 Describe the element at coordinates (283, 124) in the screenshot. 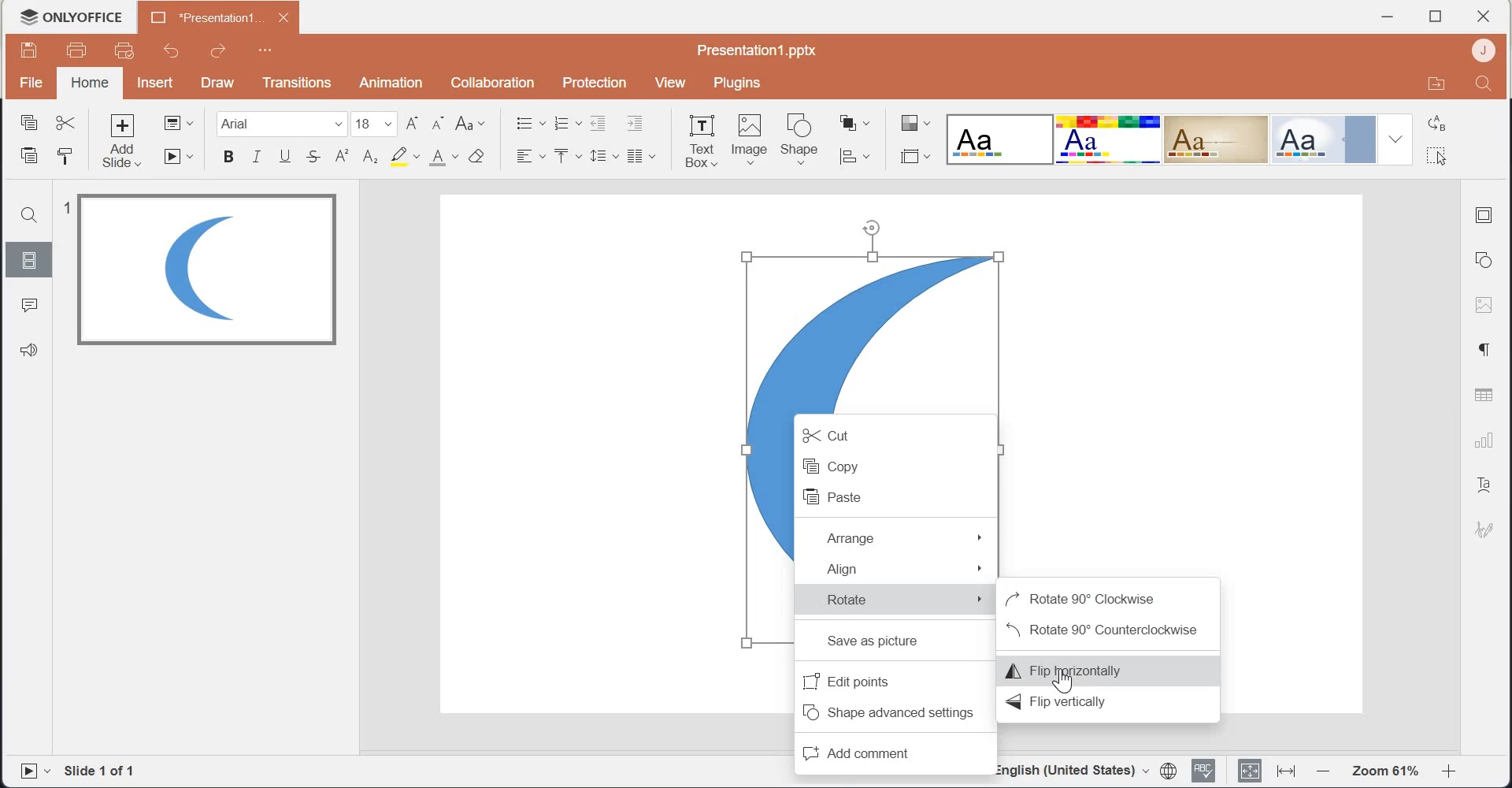

I see `Font Family` at that location.